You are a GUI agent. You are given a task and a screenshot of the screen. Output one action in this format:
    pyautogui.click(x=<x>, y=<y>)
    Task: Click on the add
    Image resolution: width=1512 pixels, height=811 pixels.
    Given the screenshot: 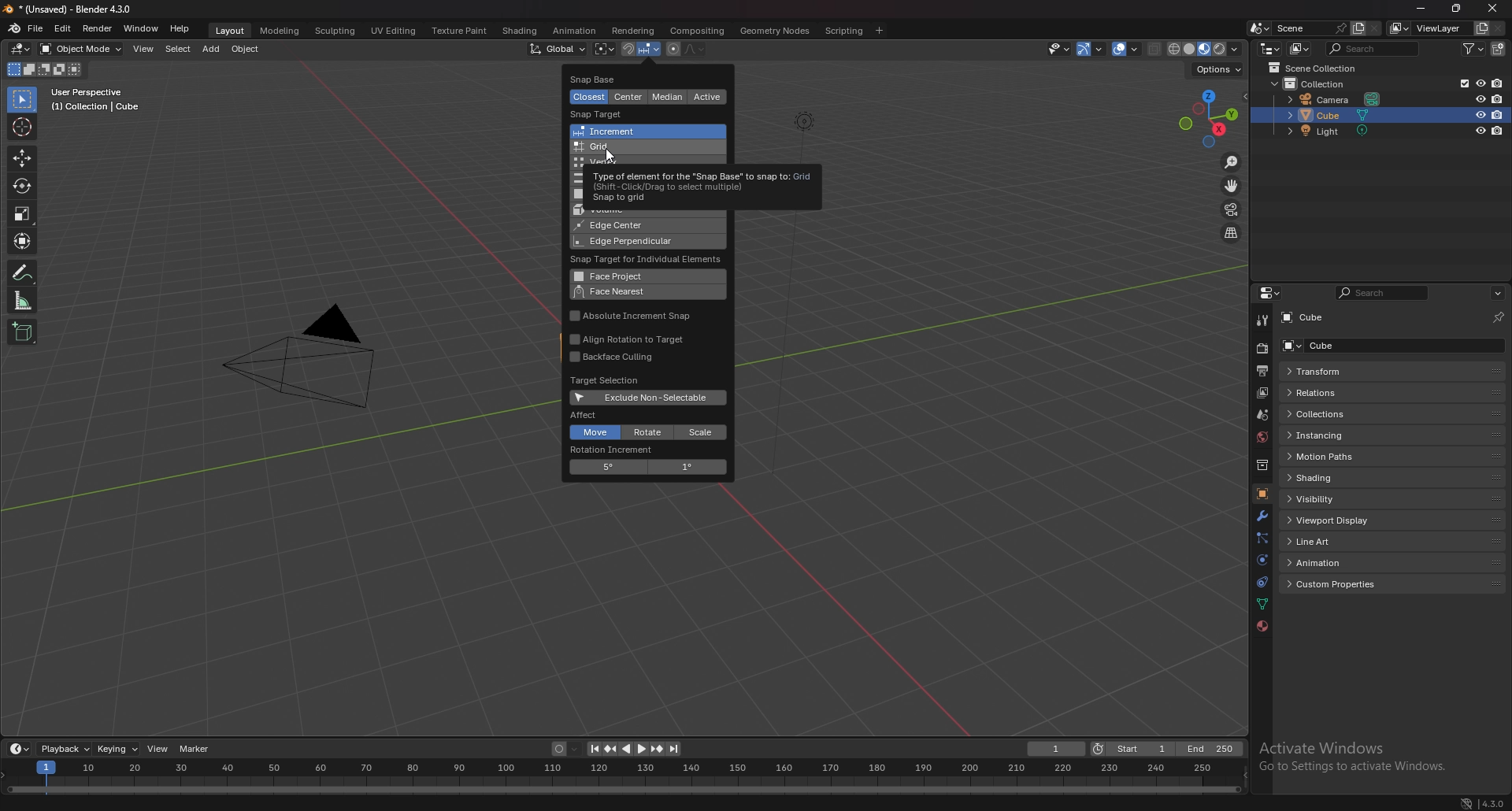 What is the action you would take?
    pyautogui.click(x=210, y=49)
    